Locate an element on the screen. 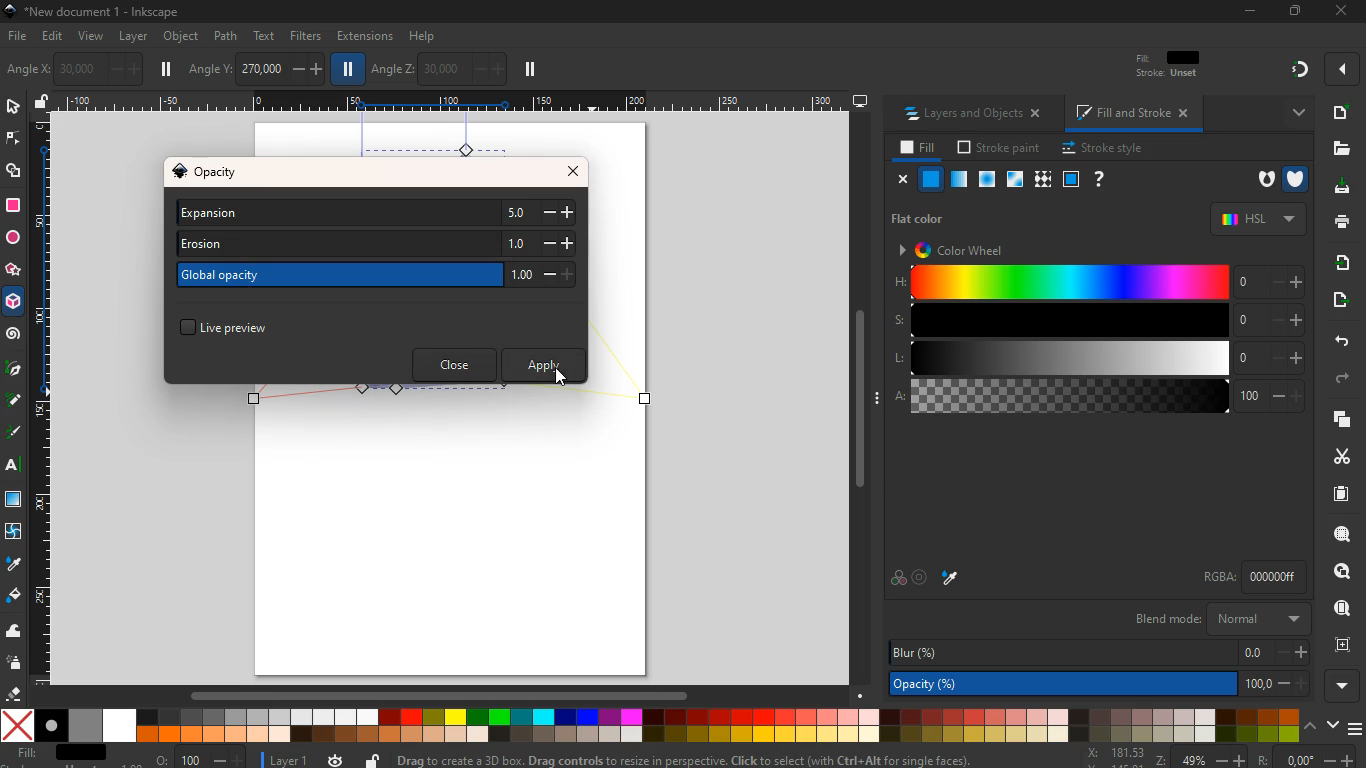  time is located at coordinates (334, 760).